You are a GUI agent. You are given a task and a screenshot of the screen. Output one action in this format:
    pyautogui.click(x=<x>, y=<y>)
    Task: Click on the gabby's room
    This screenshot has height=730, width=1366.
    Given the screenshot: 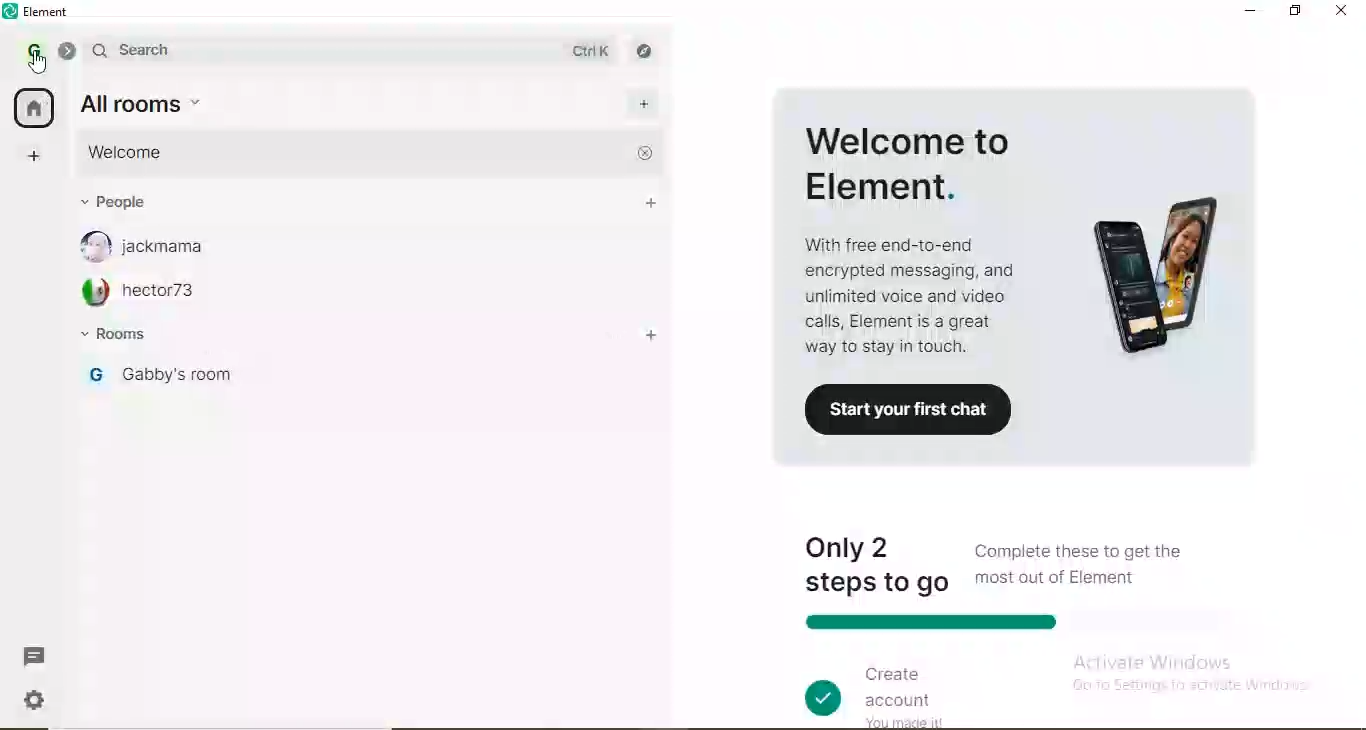 What is the action you would take?
    pyautogui.click(x=381, y=377)
    